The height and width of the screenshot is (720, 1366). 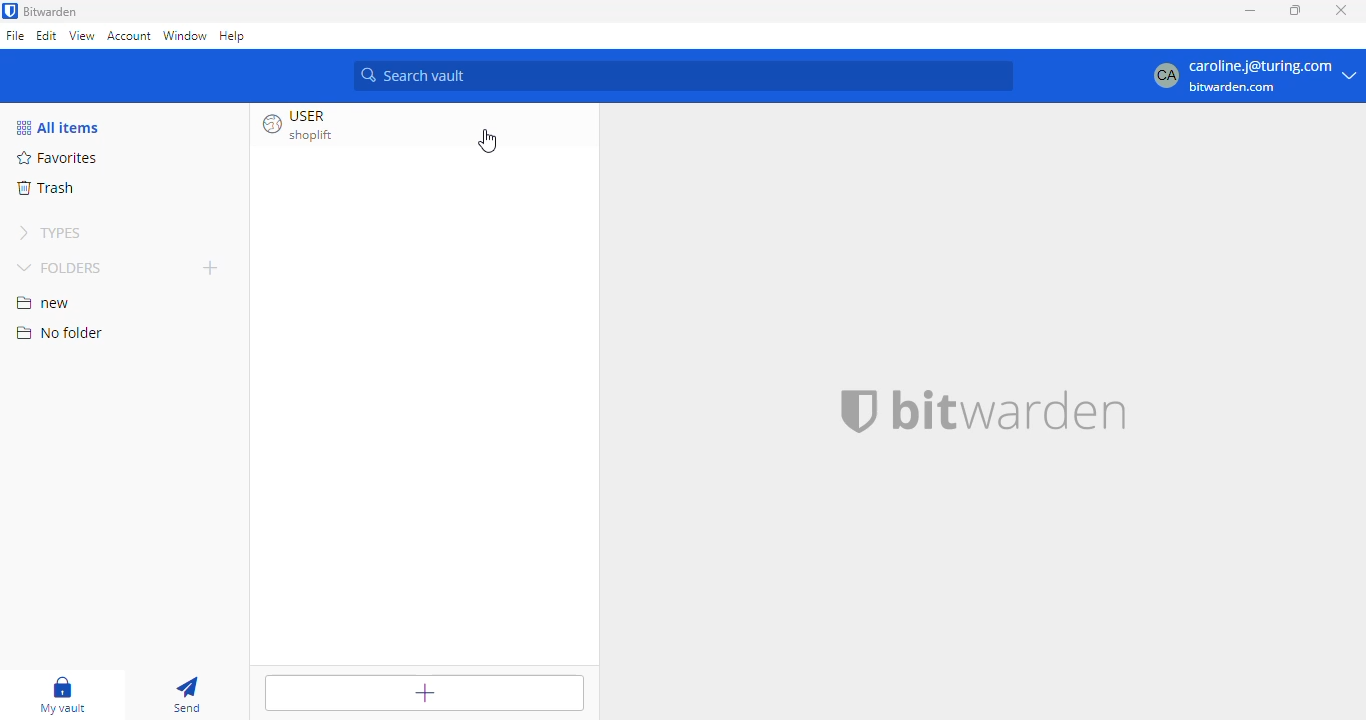 I want to click on maximize, so click(x=1296, y=9).